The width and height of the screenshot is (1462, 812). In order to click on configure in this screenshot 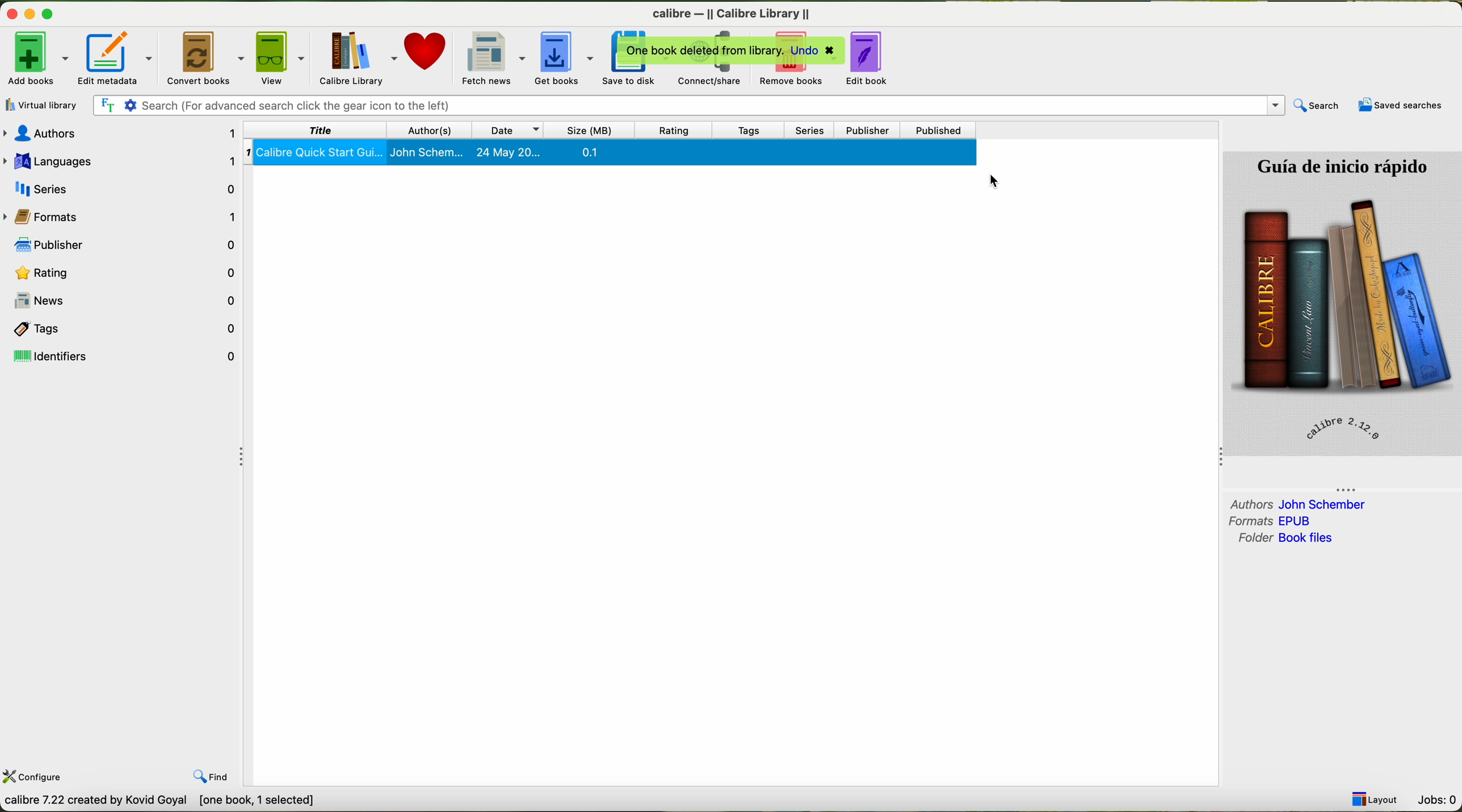, I will do `click(36, 777)`.